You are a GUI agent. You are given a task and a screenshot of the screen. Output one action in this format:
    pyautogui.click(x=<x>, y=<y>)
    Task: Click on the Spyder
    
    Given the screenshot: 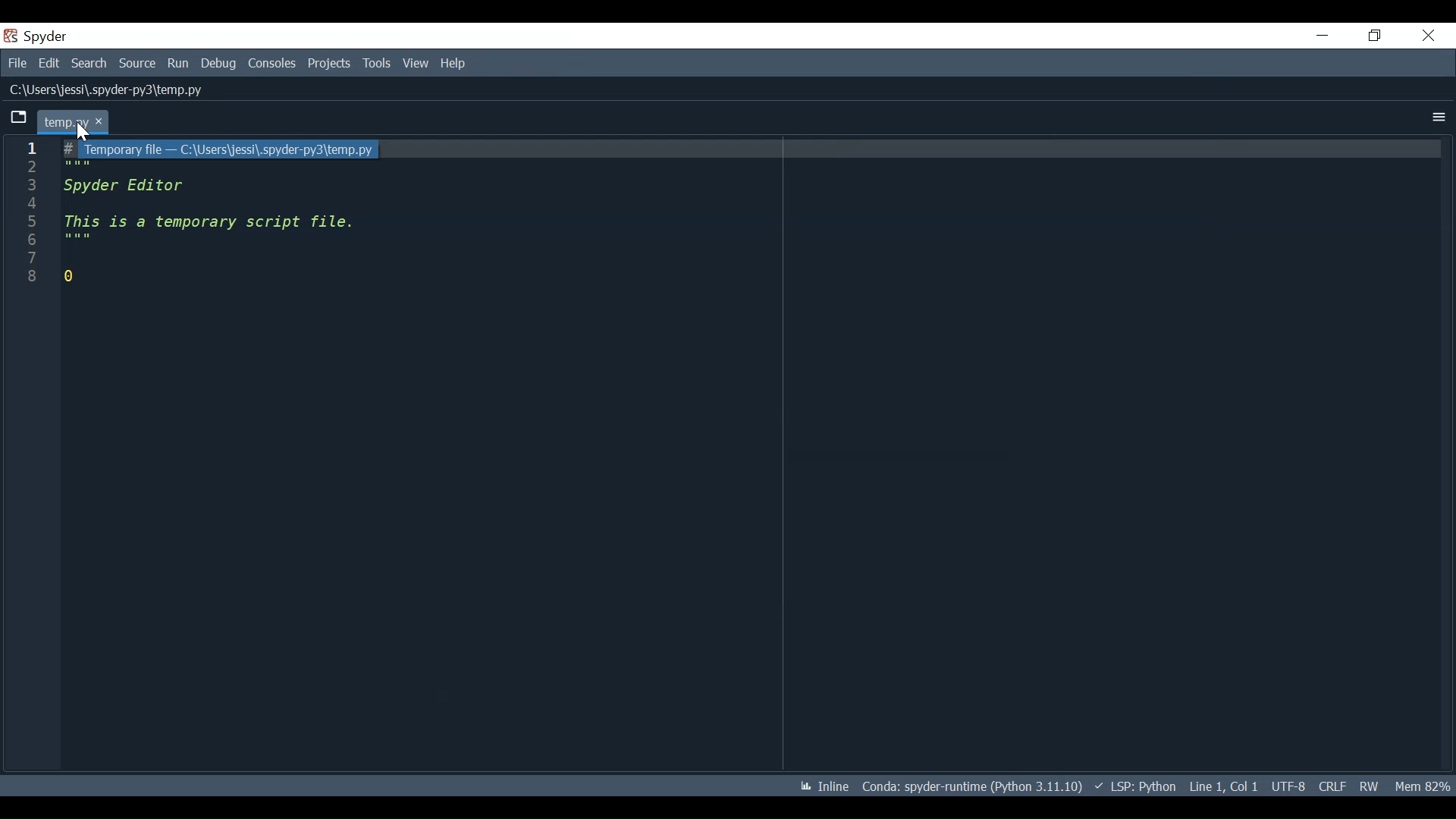 What is the action you would take?
    pyautogui.click(x=39, y=37)
    